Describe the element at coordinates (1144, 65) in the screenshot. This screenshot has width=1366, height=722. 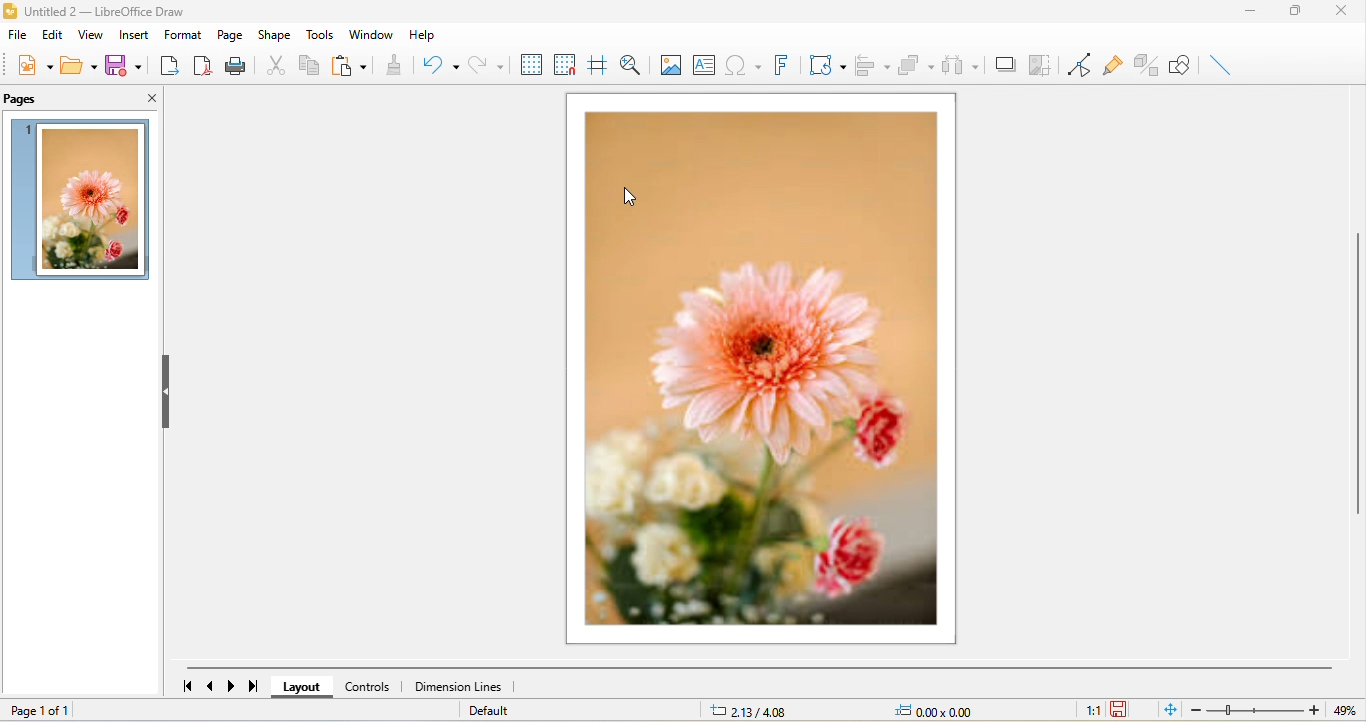
I see `toggle extrusion` at that location.